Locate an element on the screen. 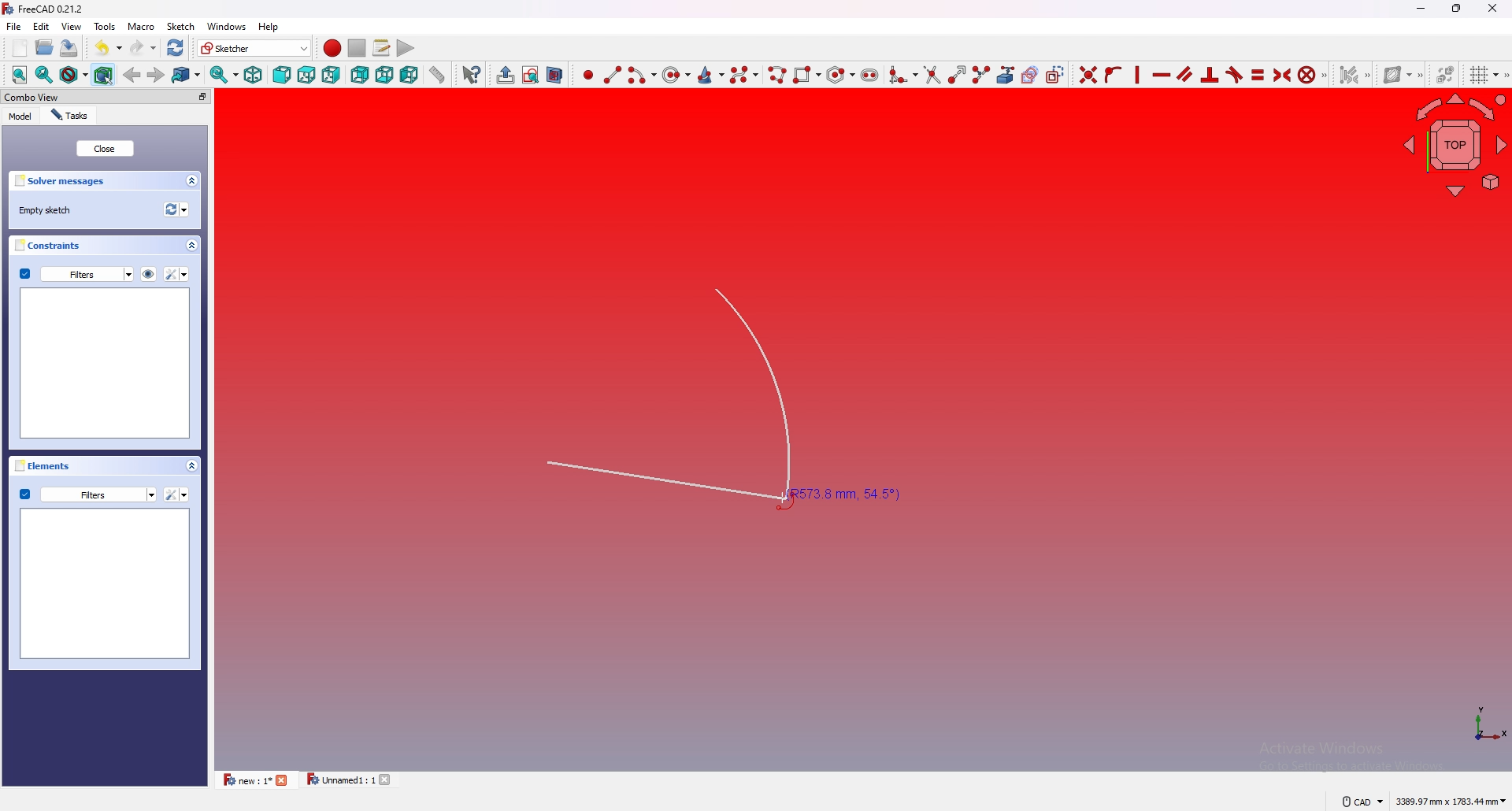 This screenshot has height=811, width=1512. measure distance is located at coordinates (438, 73).